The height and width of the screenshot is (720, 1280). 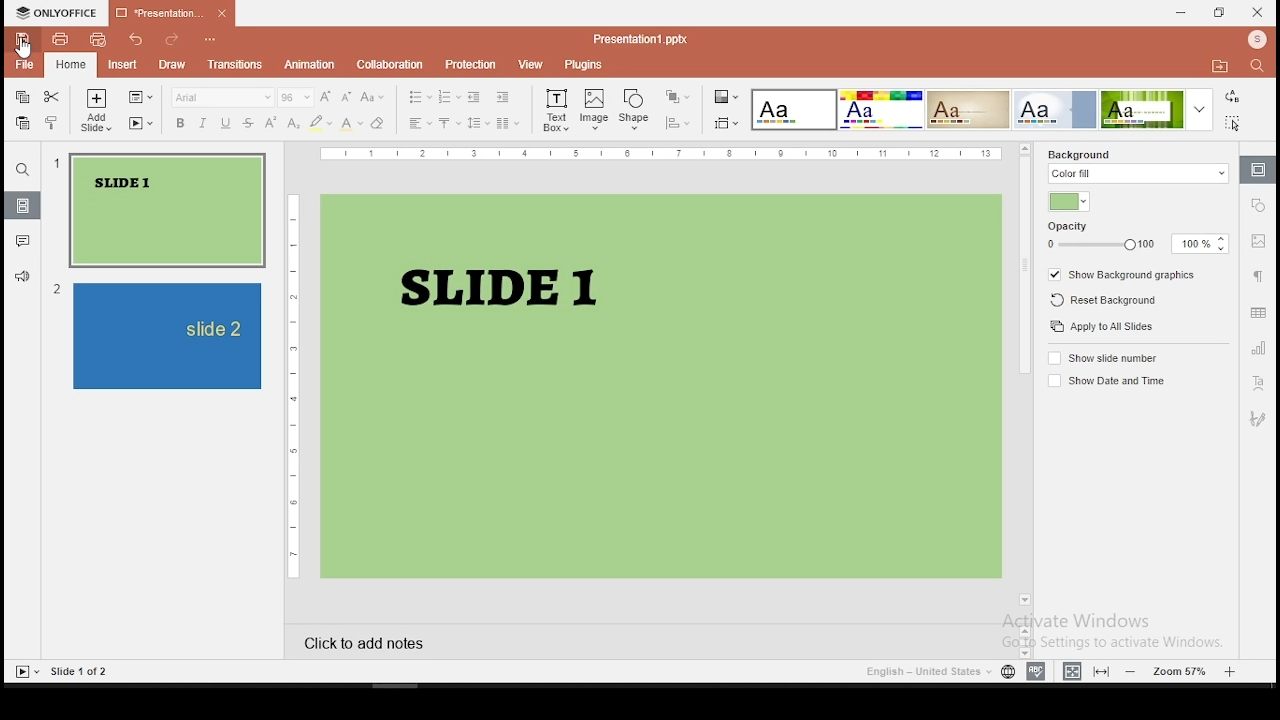 I want to click on view, so click(x=530, y=64).